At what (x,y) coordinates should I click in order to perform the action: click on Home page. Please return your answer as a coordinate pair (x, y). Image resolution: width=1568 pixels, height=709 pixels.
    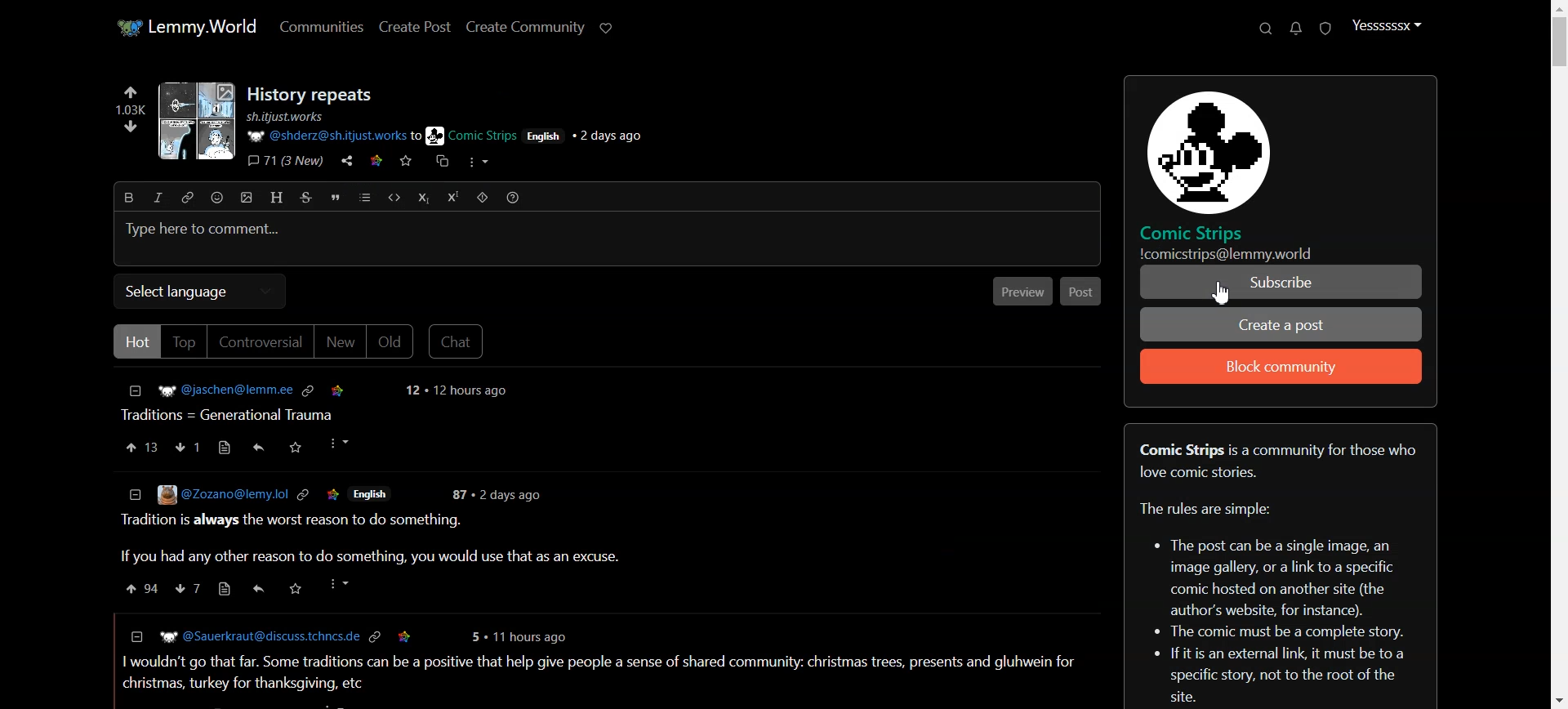
    Looking at the image, I should click on (185, 28).